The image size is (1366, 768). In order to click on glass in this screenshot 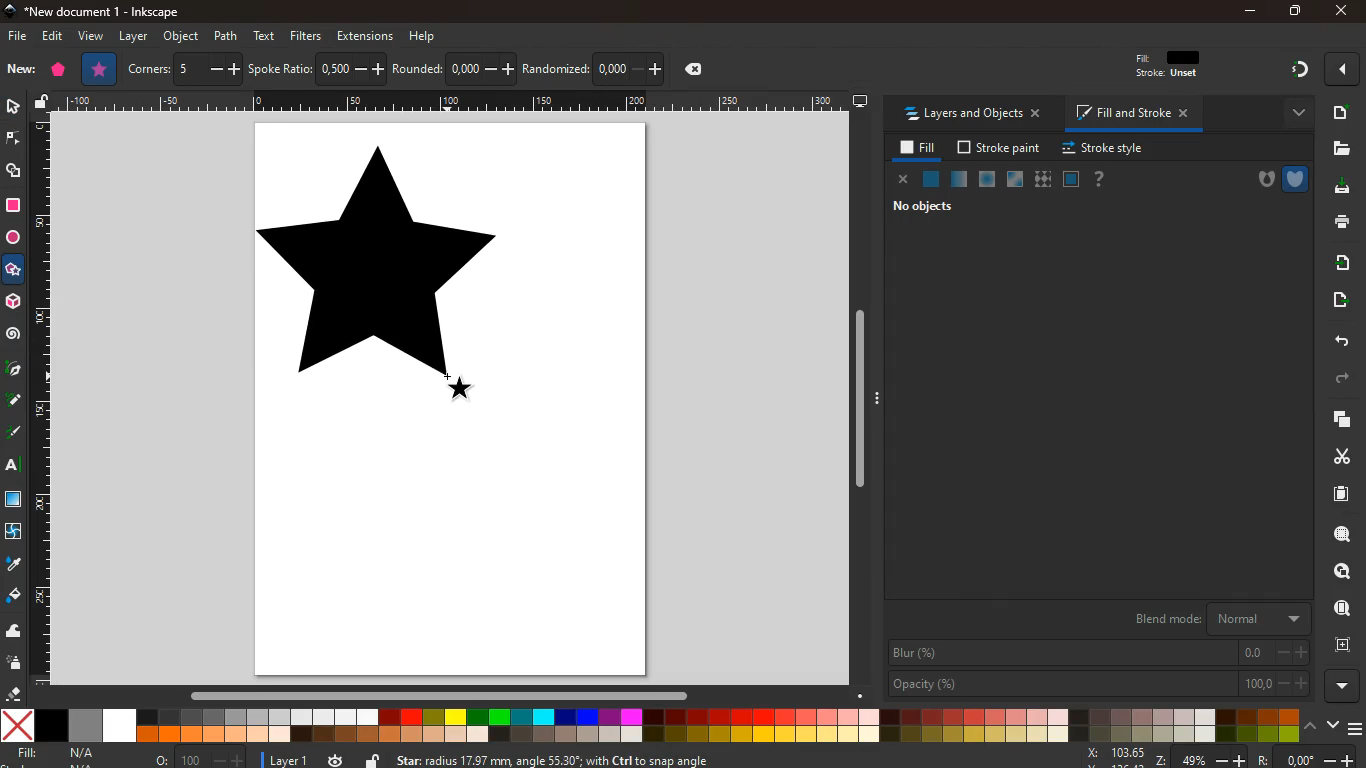, I will do `click(1016, 179)`.